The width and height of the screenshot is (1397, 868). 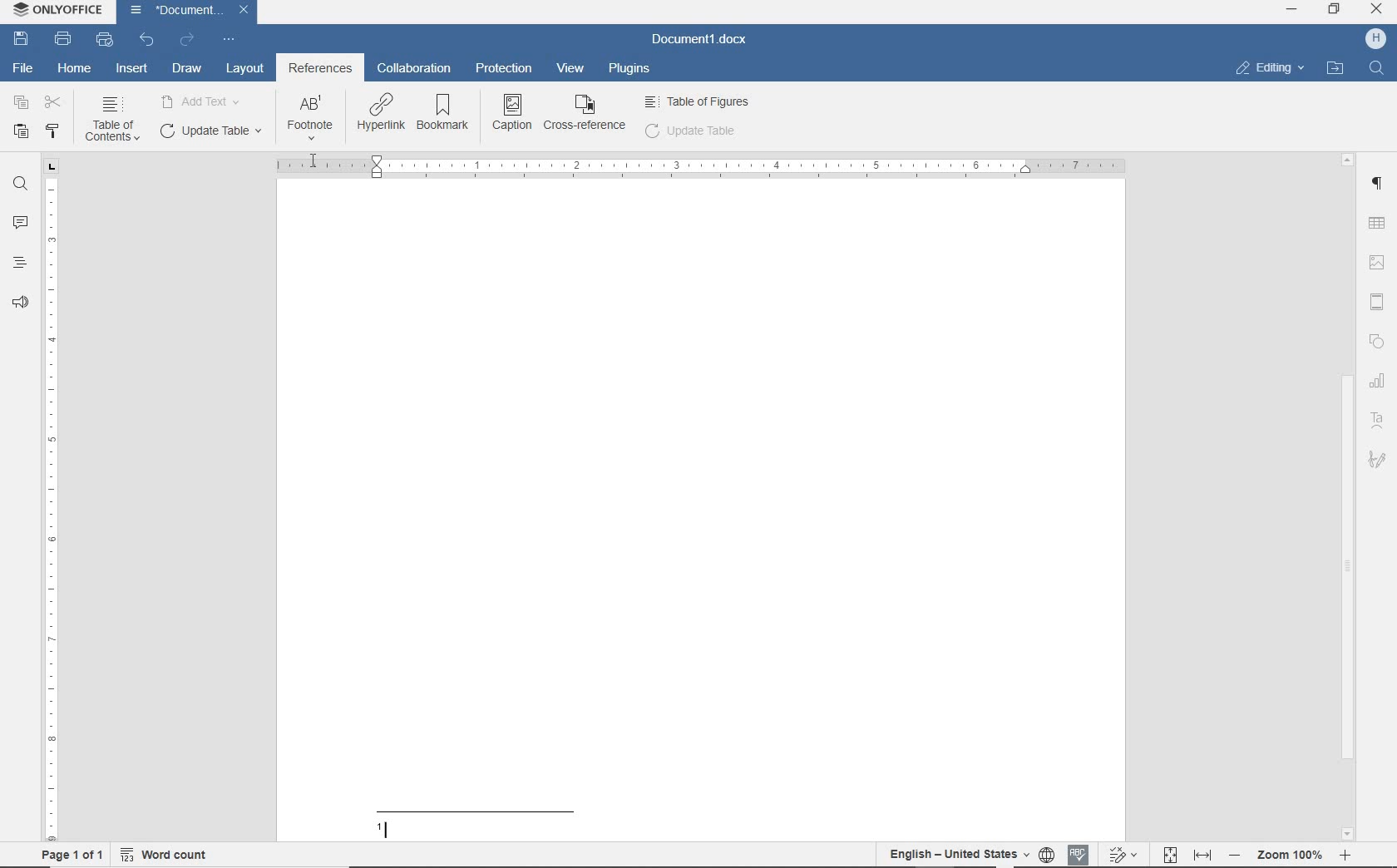 What do you see at coordinates (446, 114) in the screenshot?
I see `bookmark` at bounding box center [446, 114].